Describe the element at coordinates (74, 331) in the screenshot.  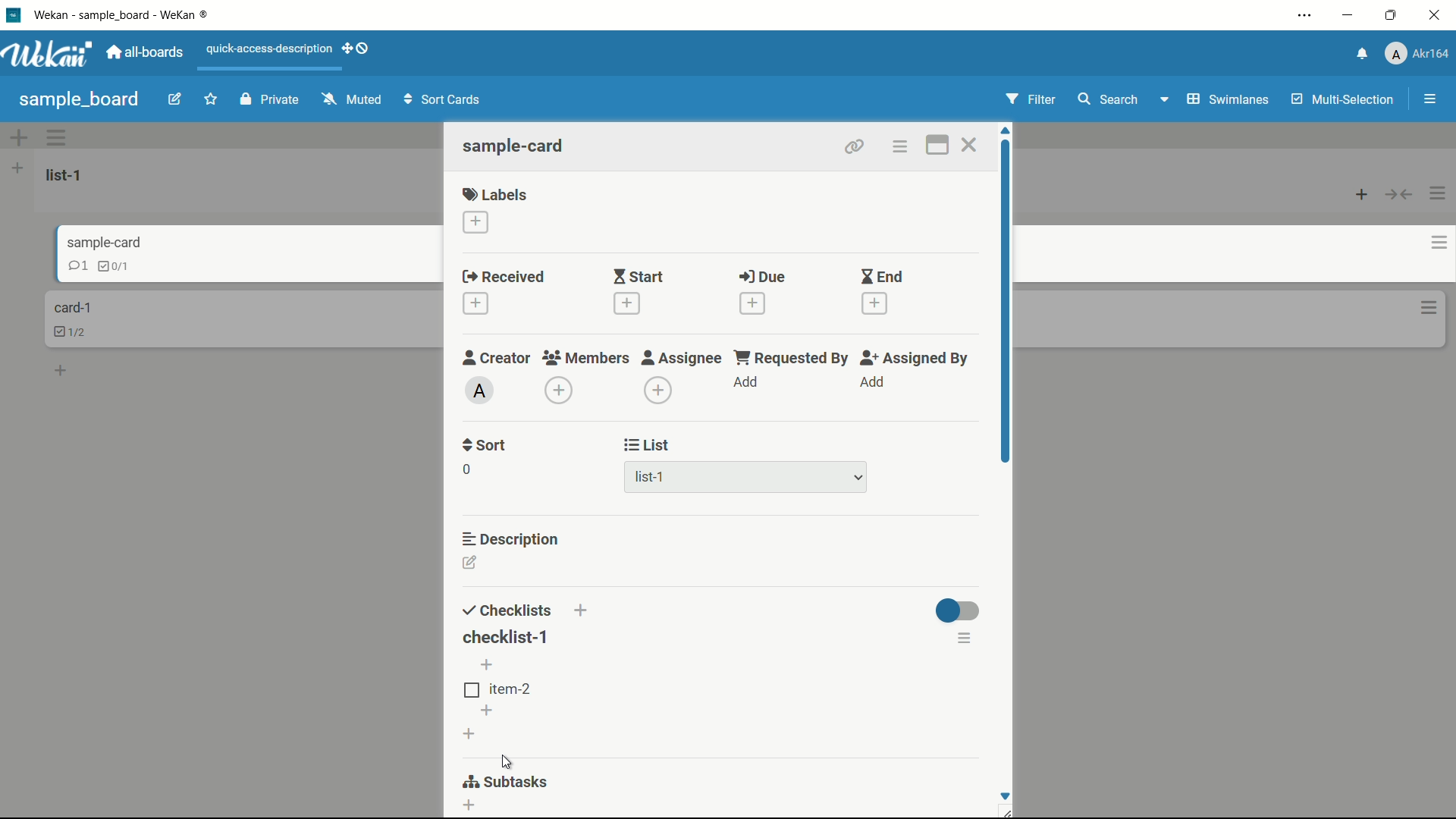
I see `checklist` at that location.